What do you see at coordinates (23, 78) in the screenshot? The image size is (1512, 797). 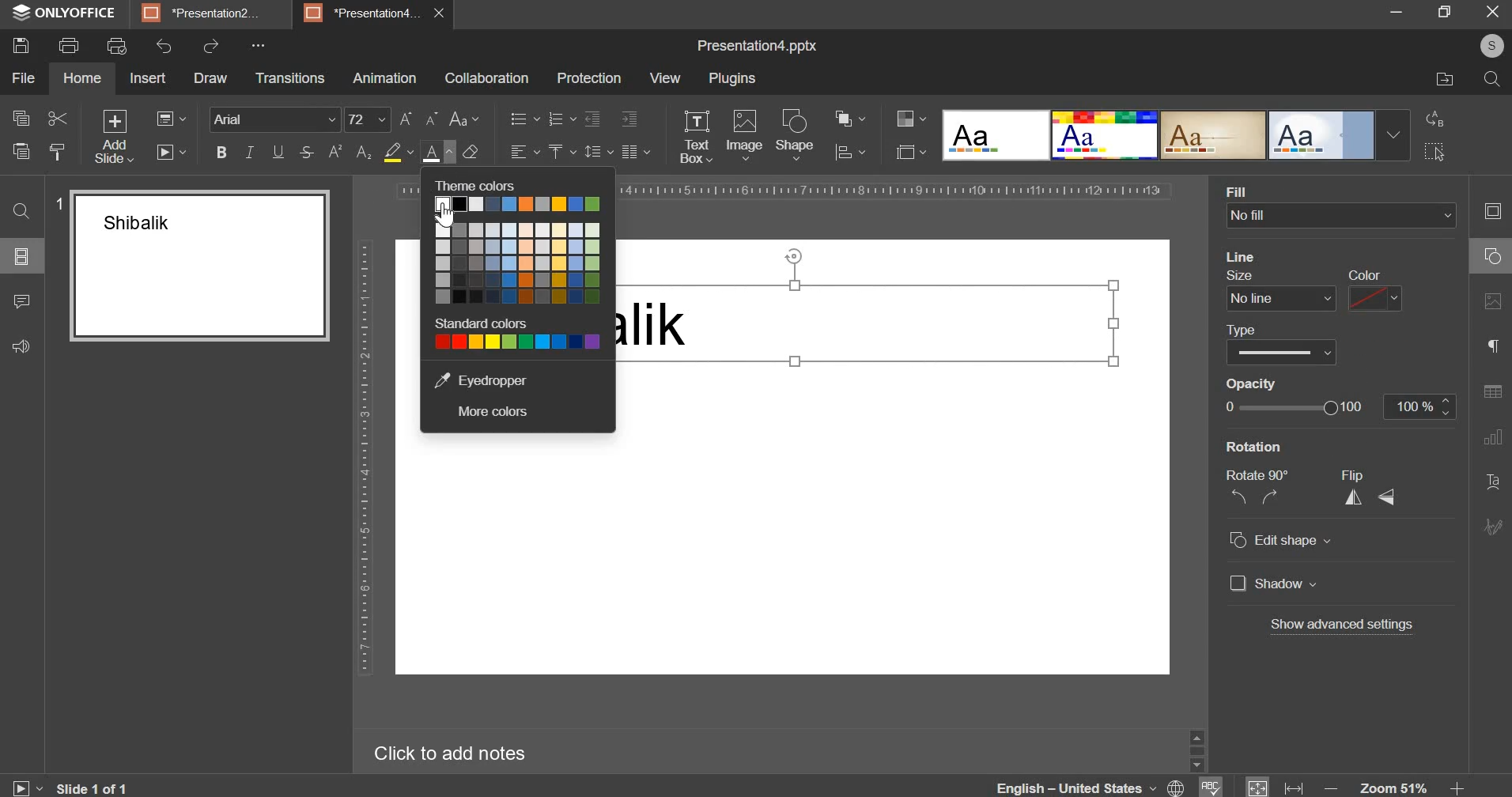 I see `file` at bounding box center [23, 78].